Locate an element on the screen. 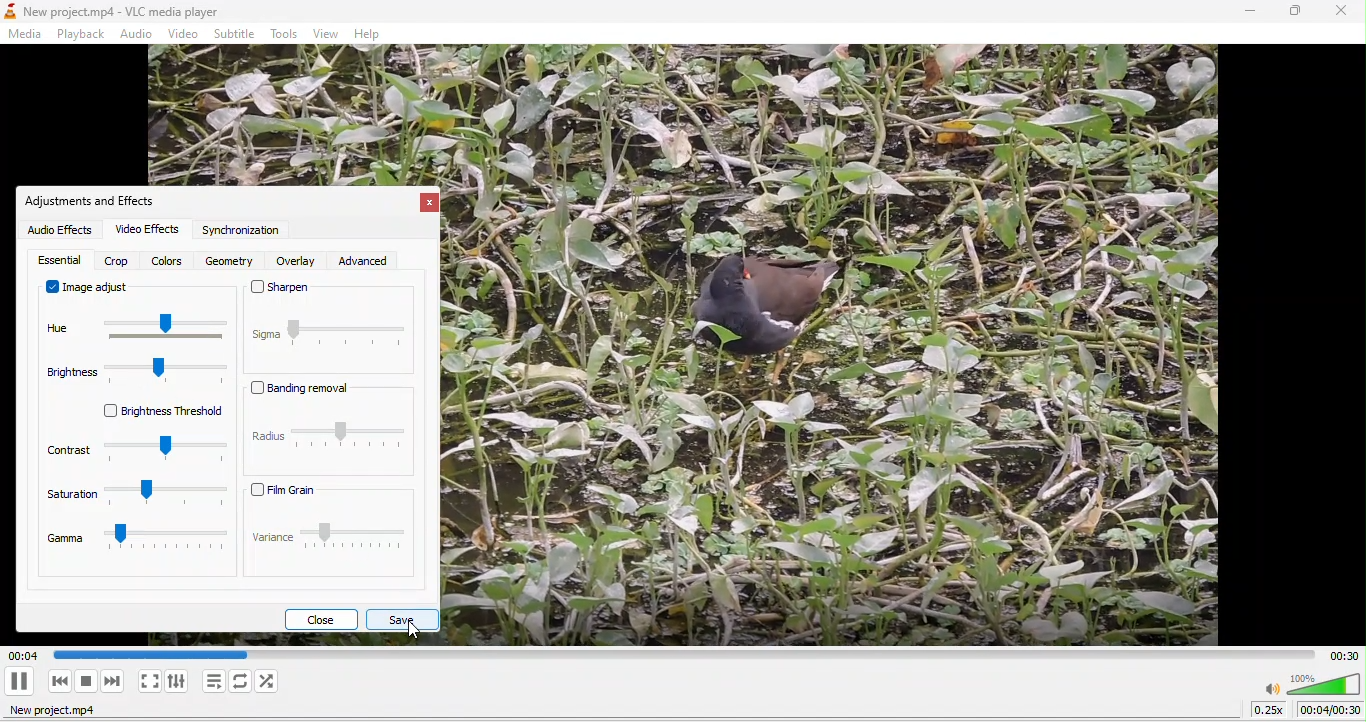 This screenshot has width=1366, height=722. help is located at coordinates (373, 35).